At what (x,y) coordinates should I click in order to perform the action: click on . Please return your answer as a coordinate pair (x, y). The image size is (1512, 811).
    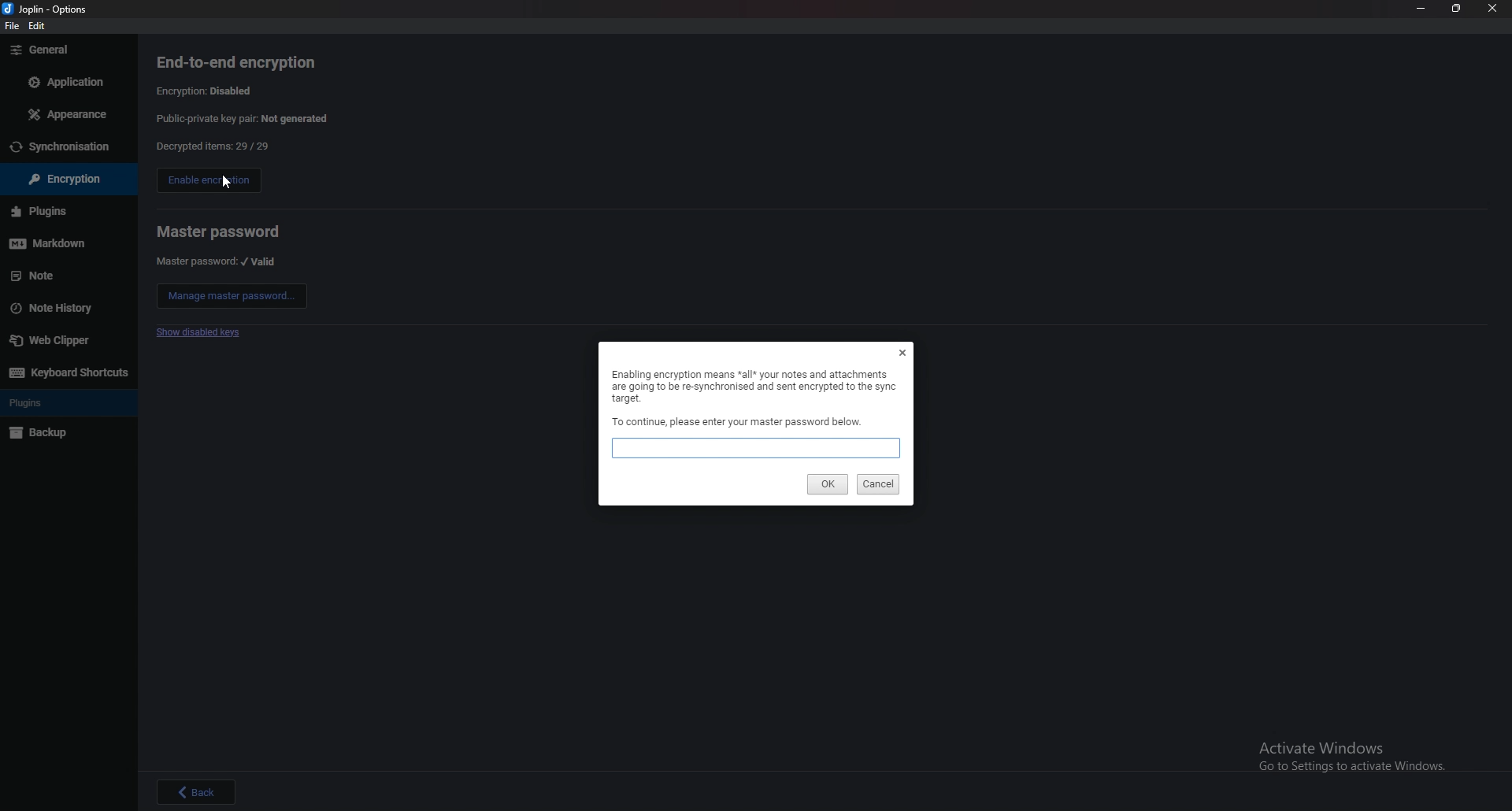
    Looking at the image, I should click on (1418, 9).